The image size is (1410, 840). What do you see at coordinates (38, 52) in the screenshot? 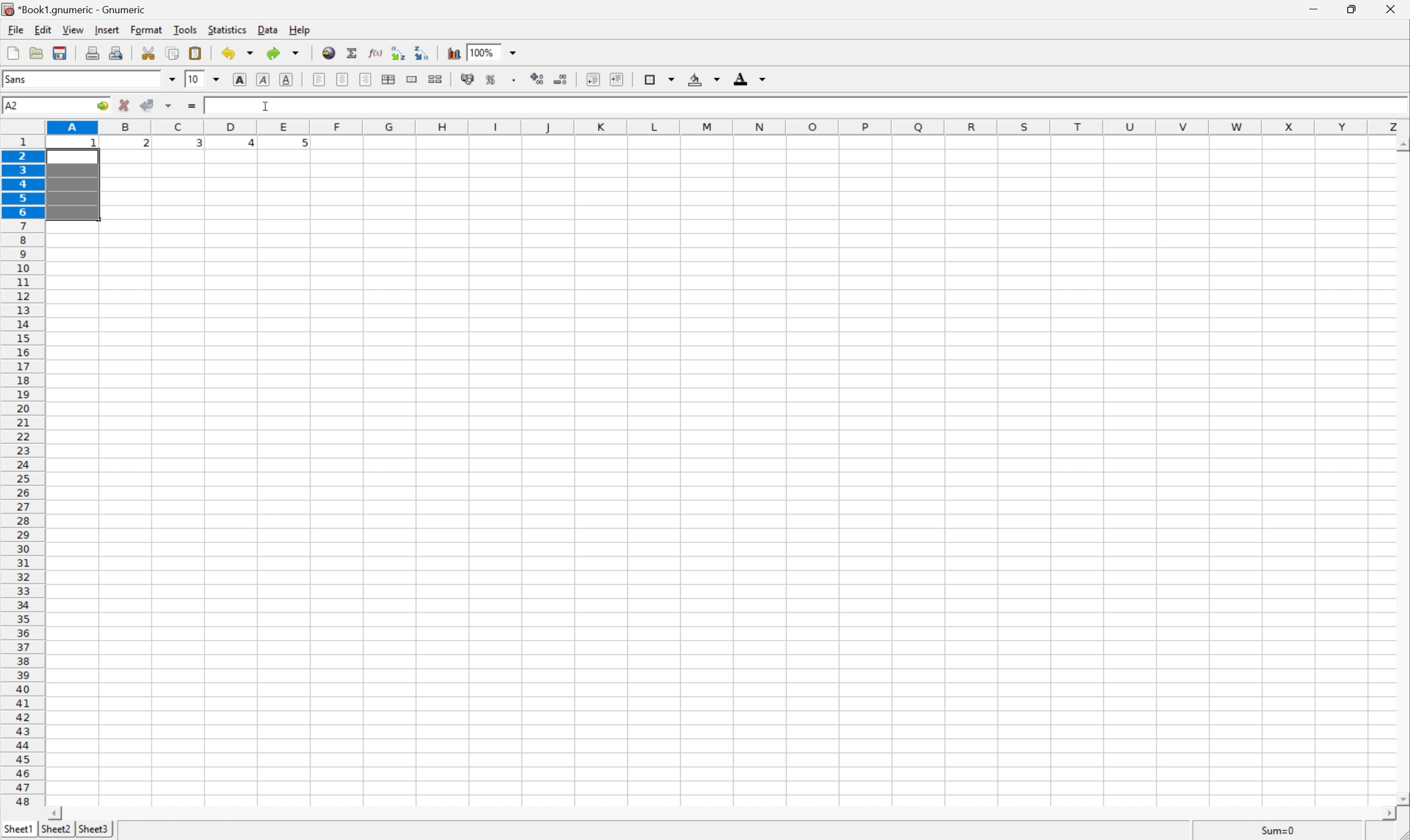
I see `open file` at bounding box center [38, 52].